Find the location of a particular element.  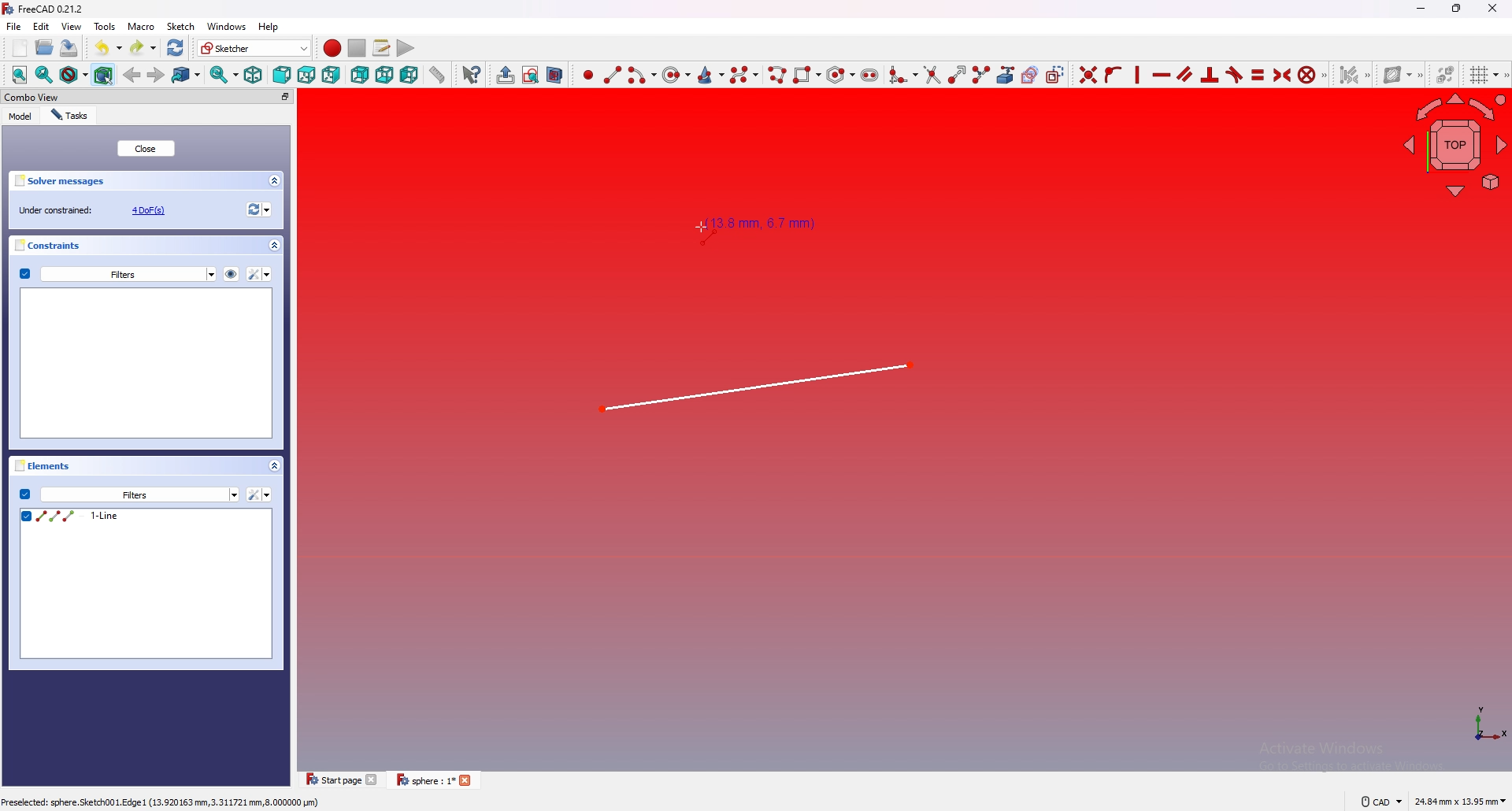

Right is located at coordinates (332, 75).